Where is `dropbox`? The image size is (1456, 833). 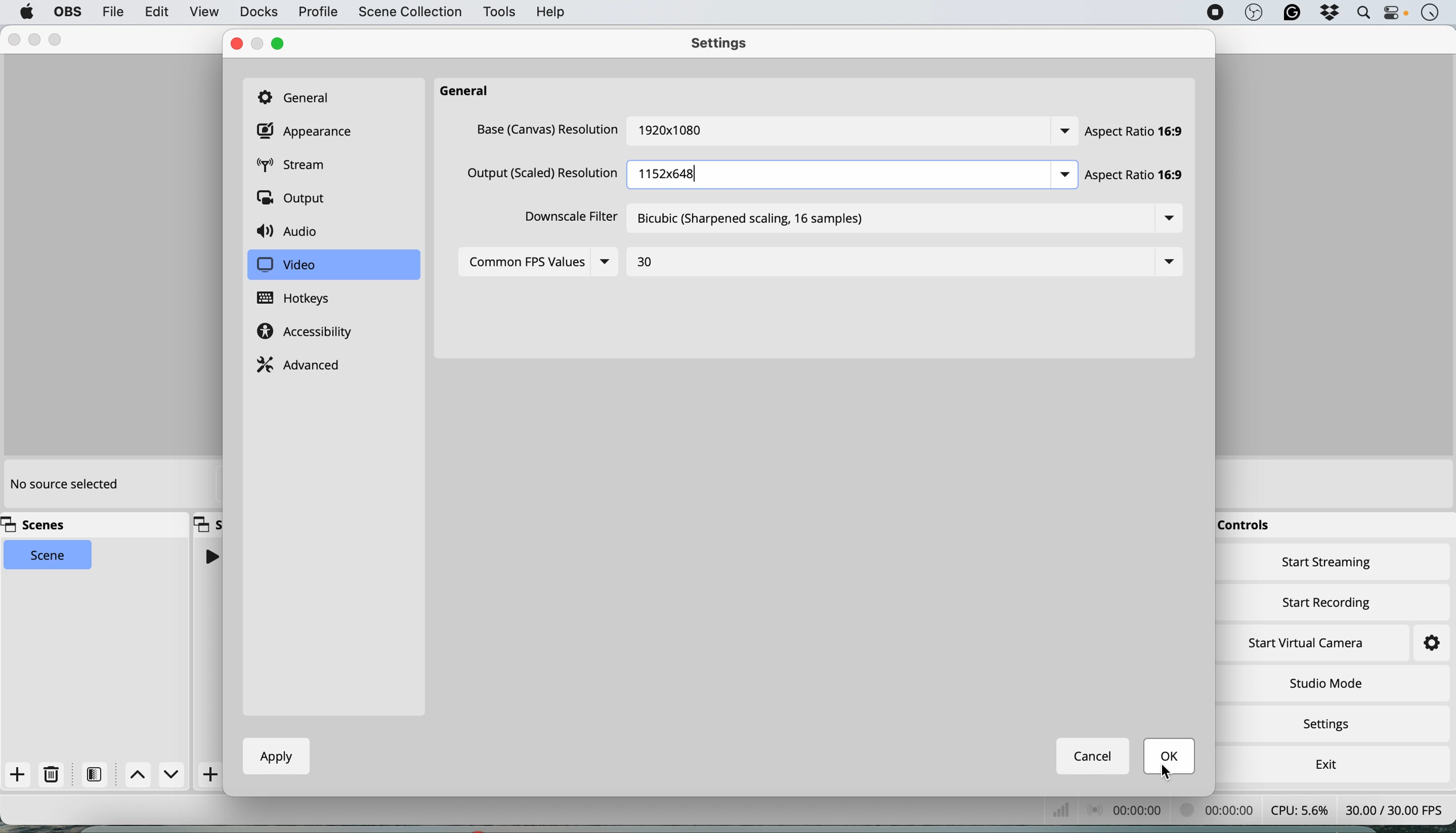
dropbox is located at coordinates (1329, 14).